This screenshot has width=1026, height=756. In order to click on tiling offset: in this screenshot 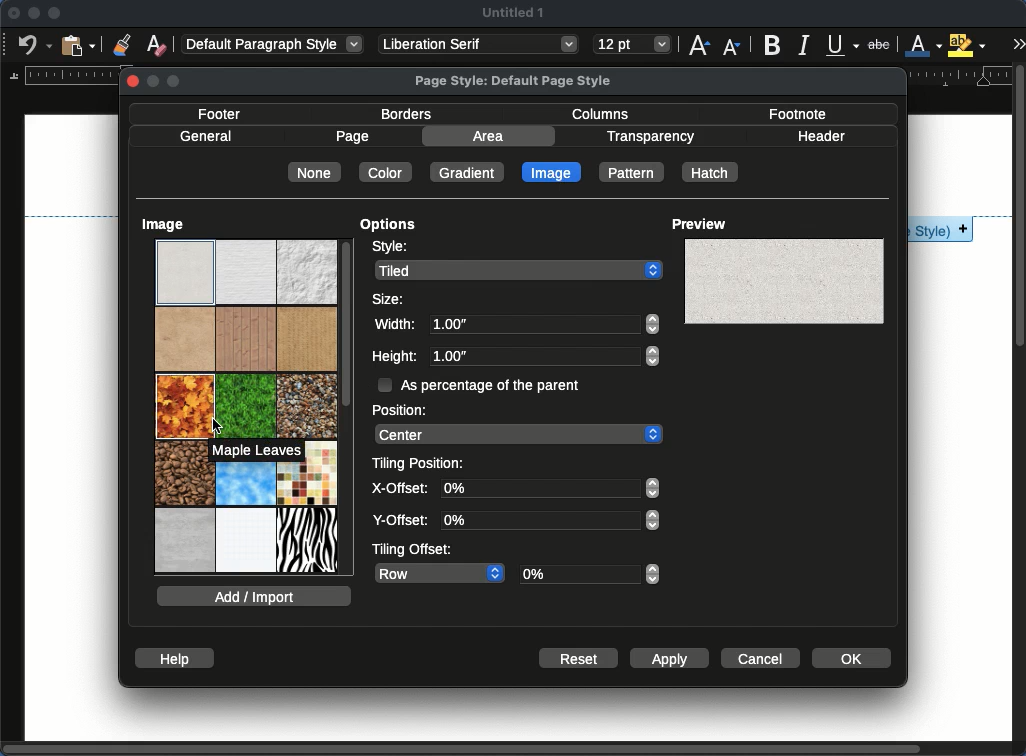, I will do `click(414, 550)`.